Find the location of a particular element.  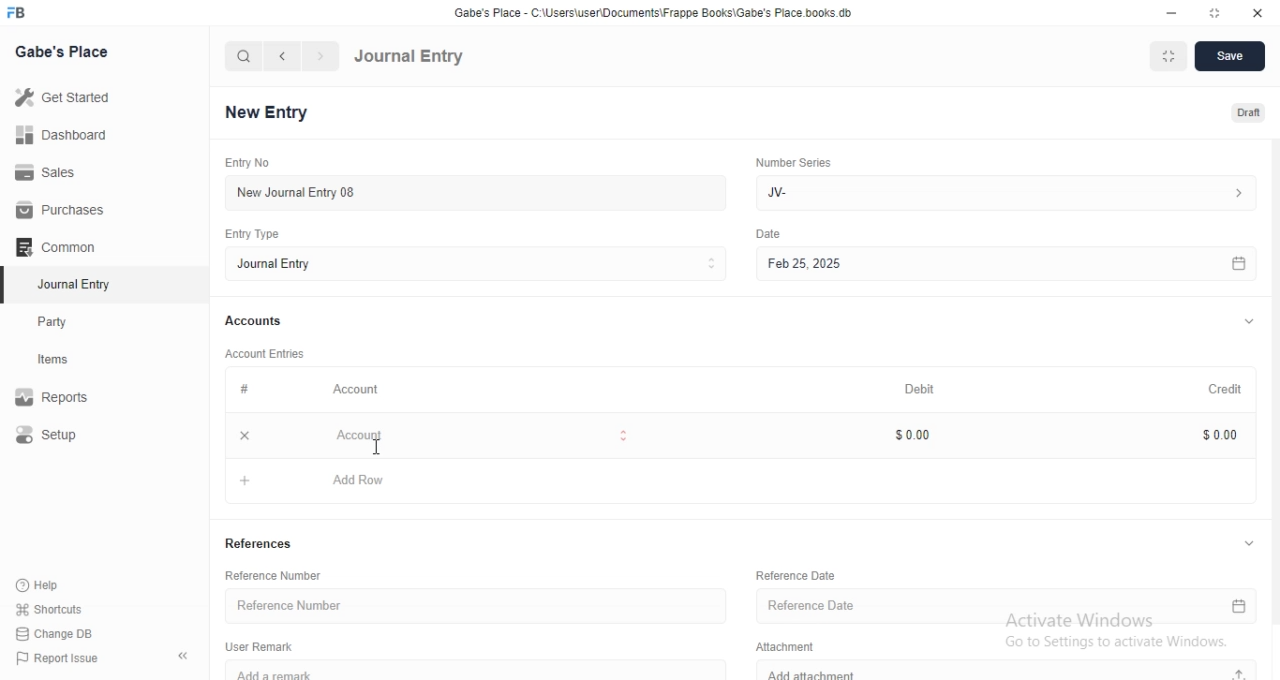

Entry No is located at coordinates (245, 161).